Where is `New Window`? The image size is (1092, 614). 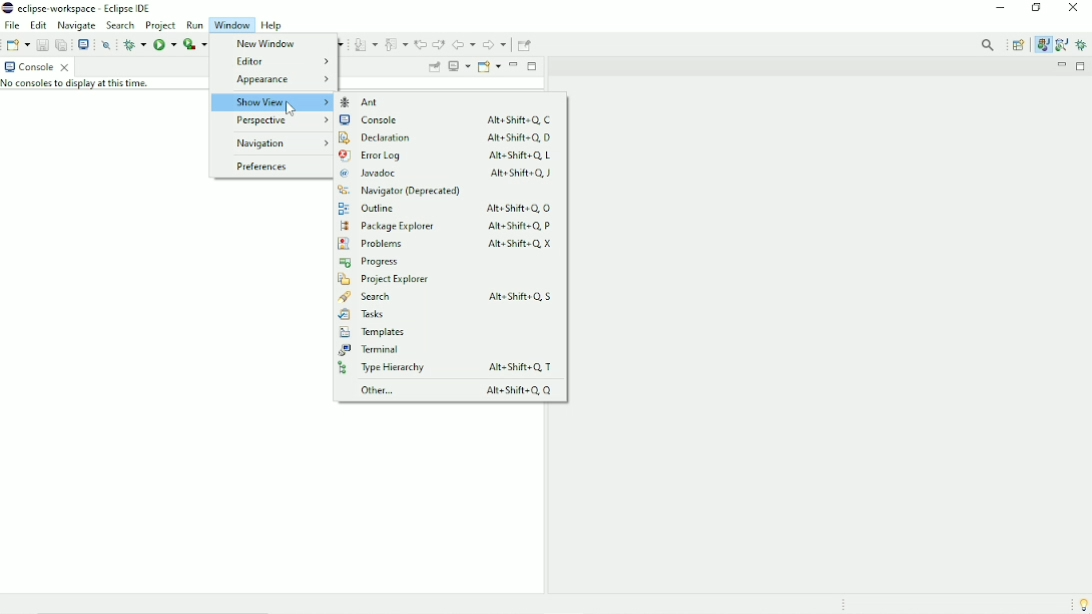
New Window is located at coordinates (263, 44).